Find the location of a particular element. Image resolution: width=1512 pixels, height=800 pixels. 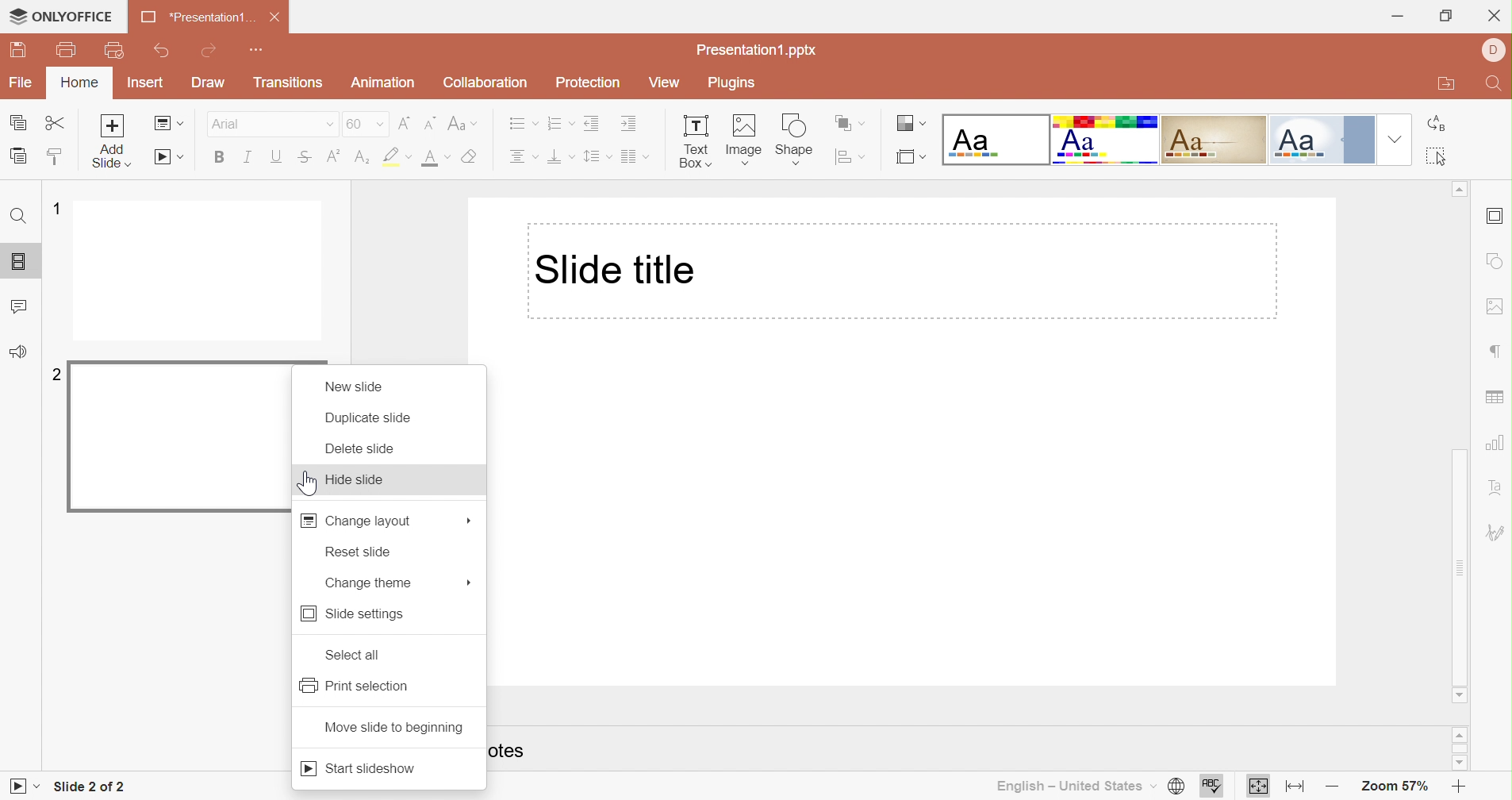

Change slide layout is located at coordinates (170, 124).